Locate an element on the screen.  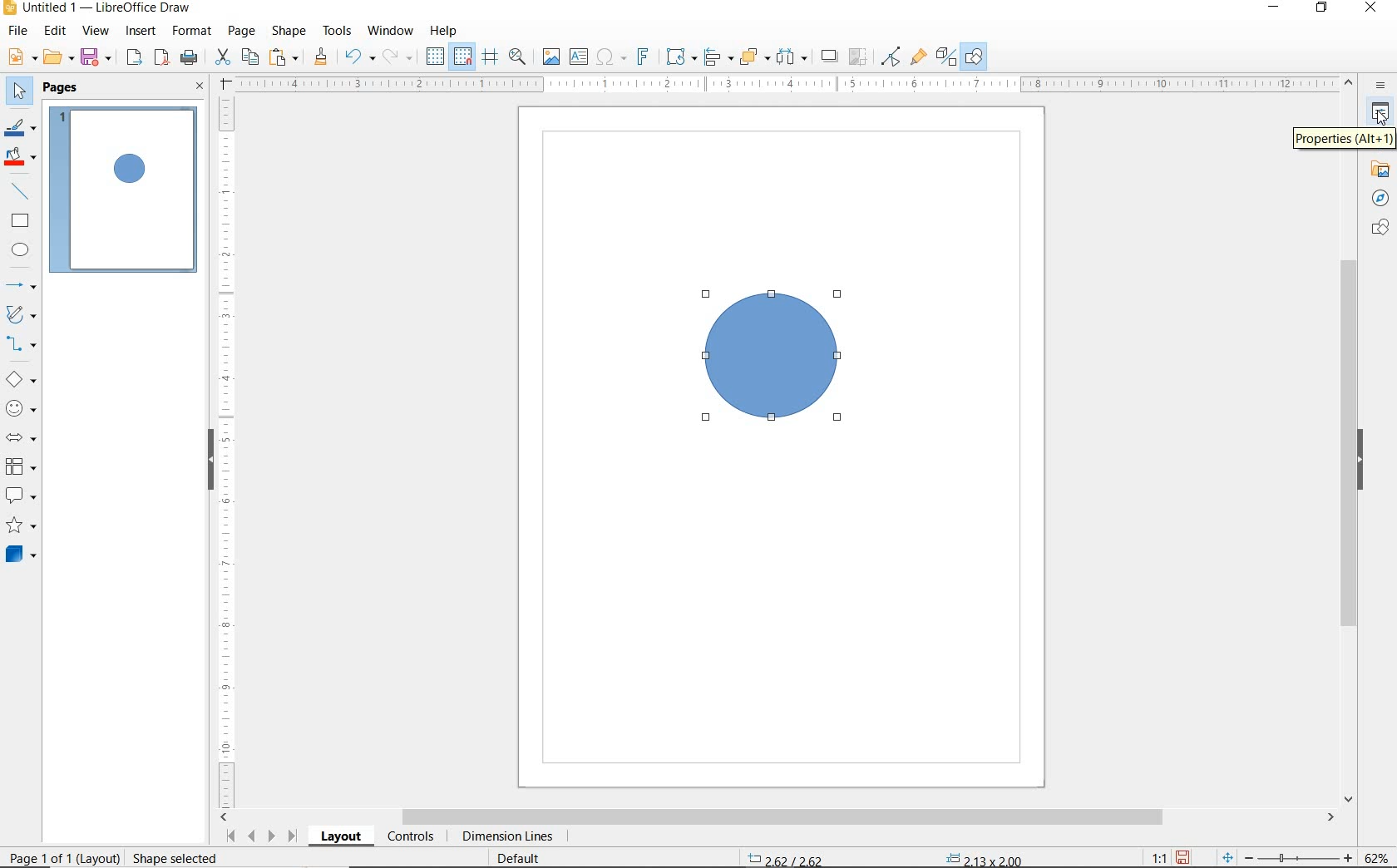
SELECT ATLEAST 3 OBJECTS TO DISTRIBUTE is located at coordinates (792, 57).